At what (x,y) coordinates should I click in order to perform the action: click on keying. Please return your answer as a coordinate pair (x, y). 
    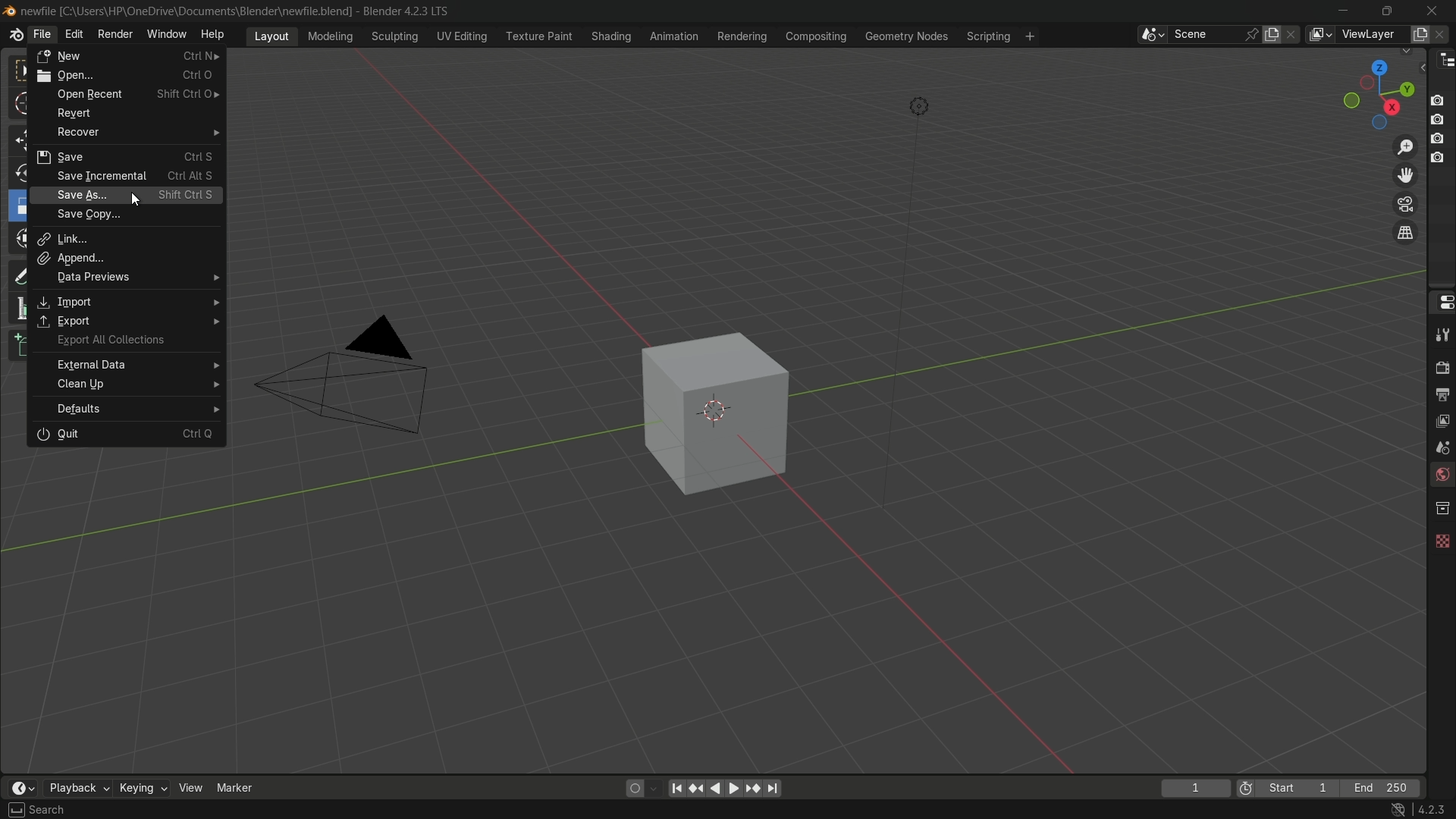
    Looking at the image, I should click on (142, 789).